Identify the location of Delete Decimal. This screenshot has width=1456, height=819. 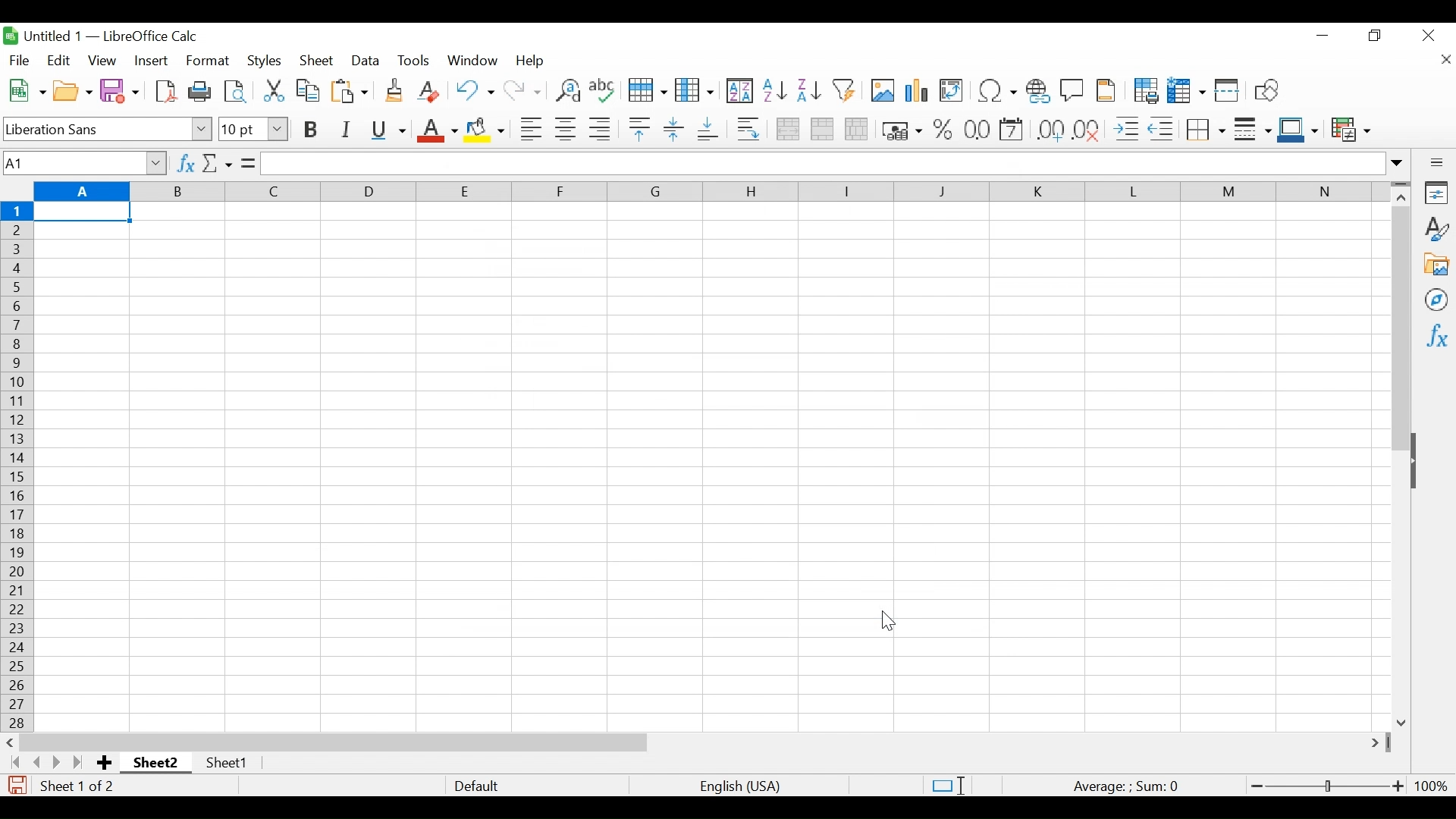
(1088, 130).